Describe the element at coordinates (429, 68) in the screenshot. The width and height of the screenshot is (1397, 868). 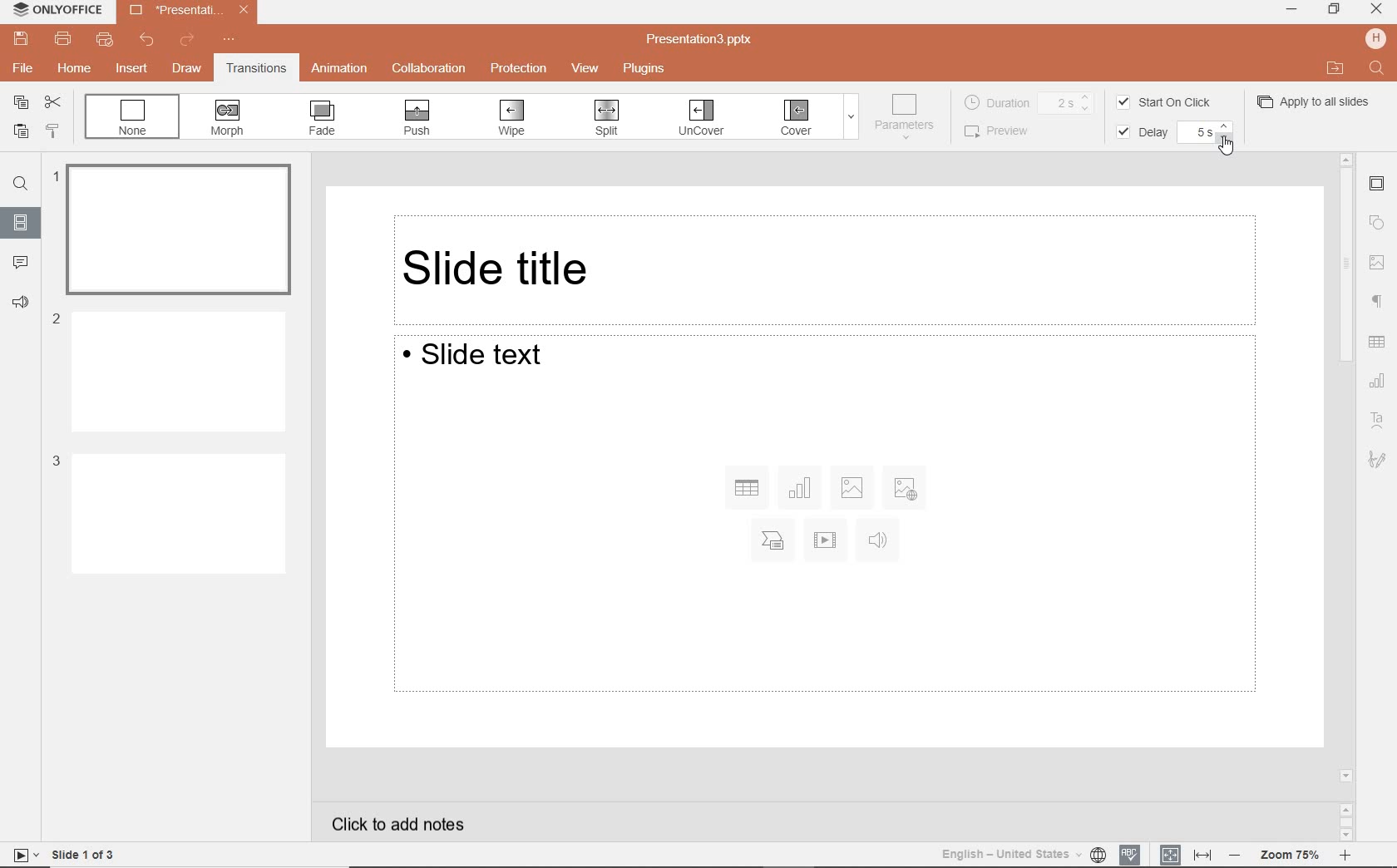
I see `collaboration` at that location.